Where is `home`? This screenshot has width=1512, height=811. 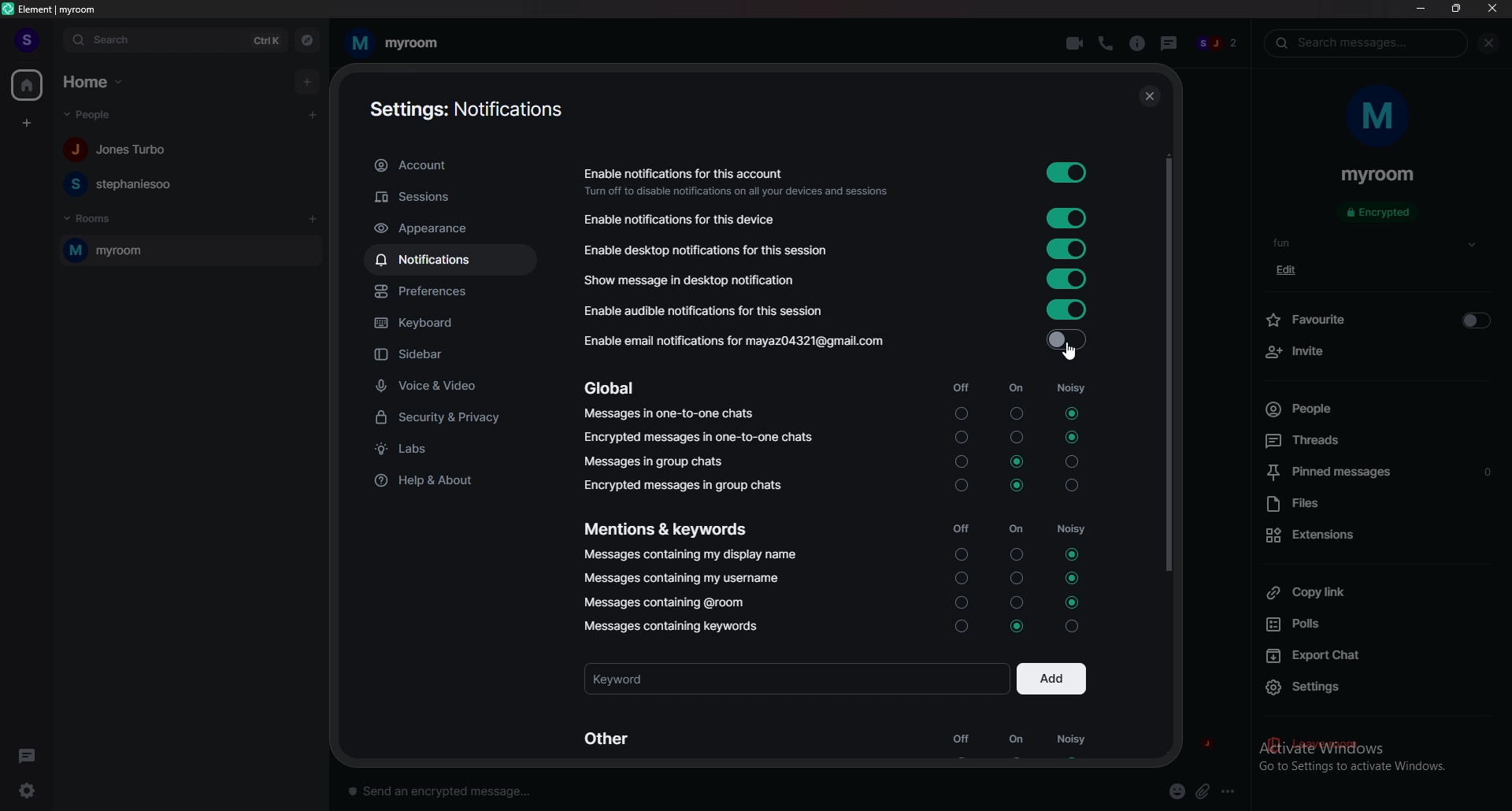 home is located at coordinates (94, 83).